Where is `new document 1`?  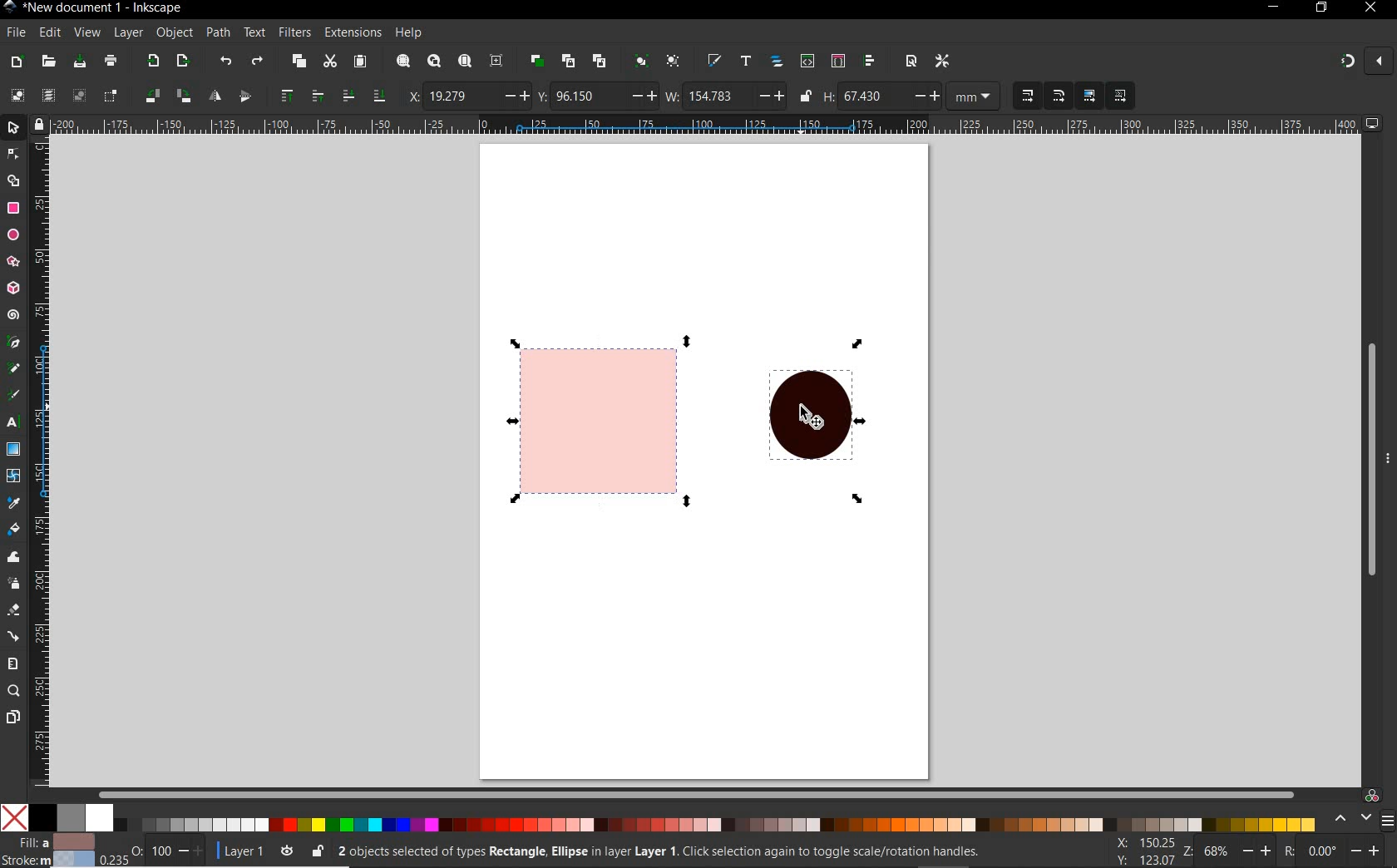
new document 1 is located at coordinates (108, 8).